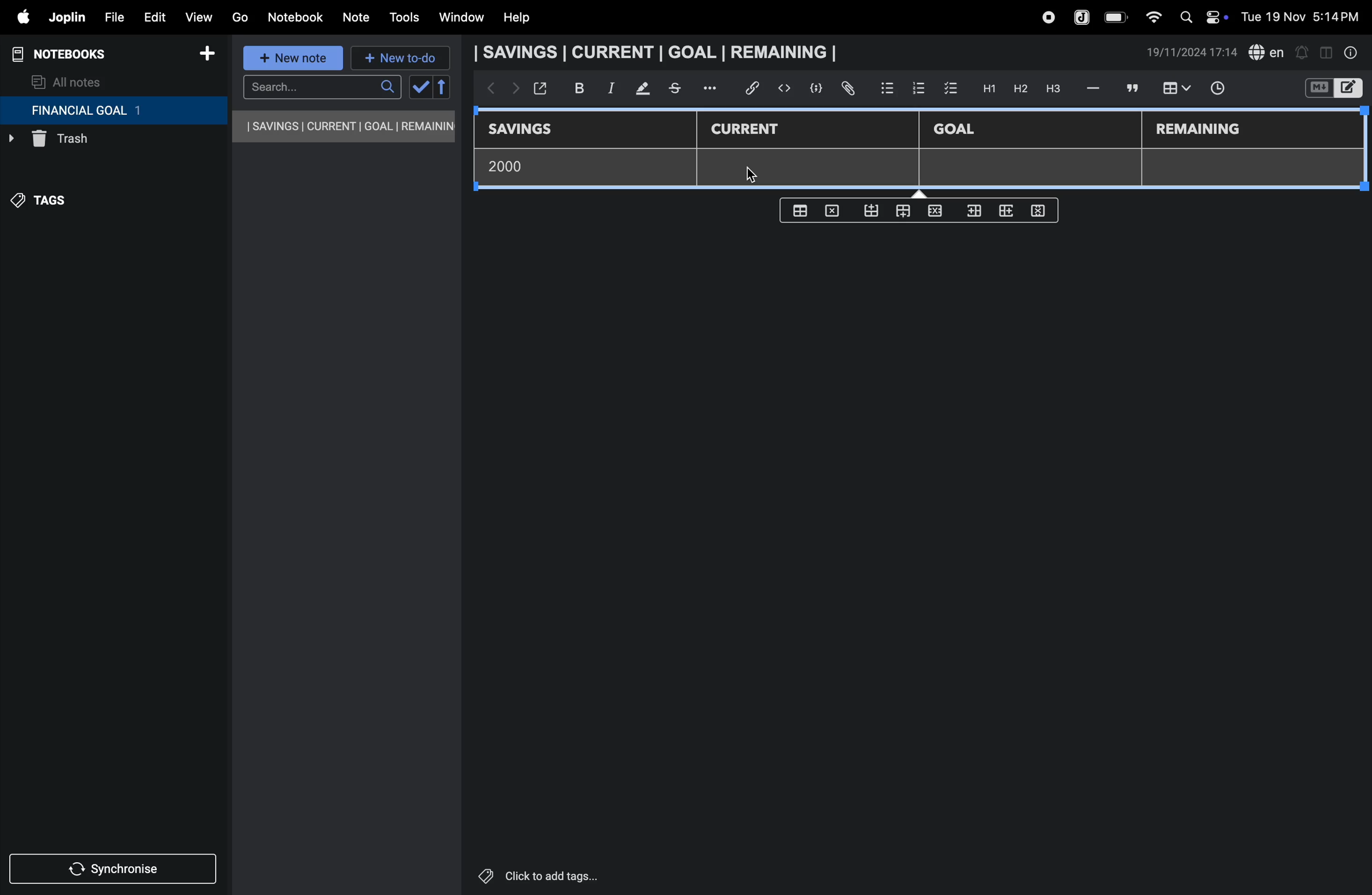 Image resolution: width=1372 pixels, height=895 pixels. I want to click on bullet list, so click(887, 87).